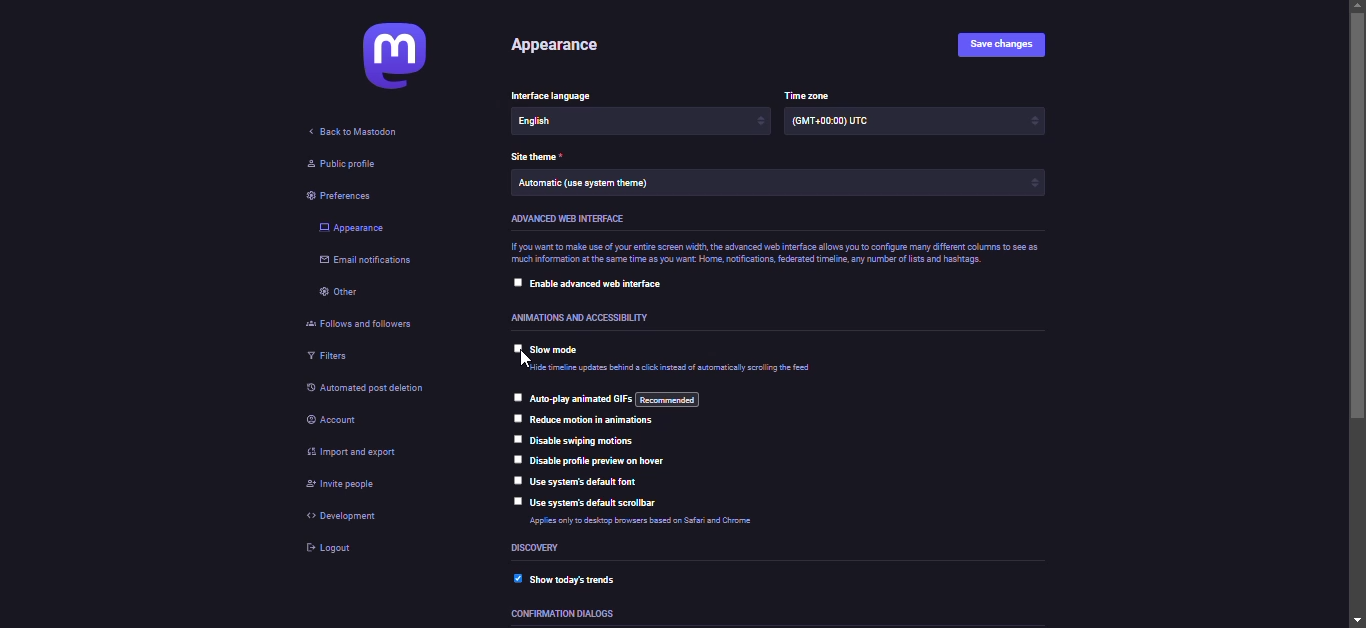  What do you see at coordinates (627, 122) in the screenshot?
I see `English` at bounding box center [627, 122].